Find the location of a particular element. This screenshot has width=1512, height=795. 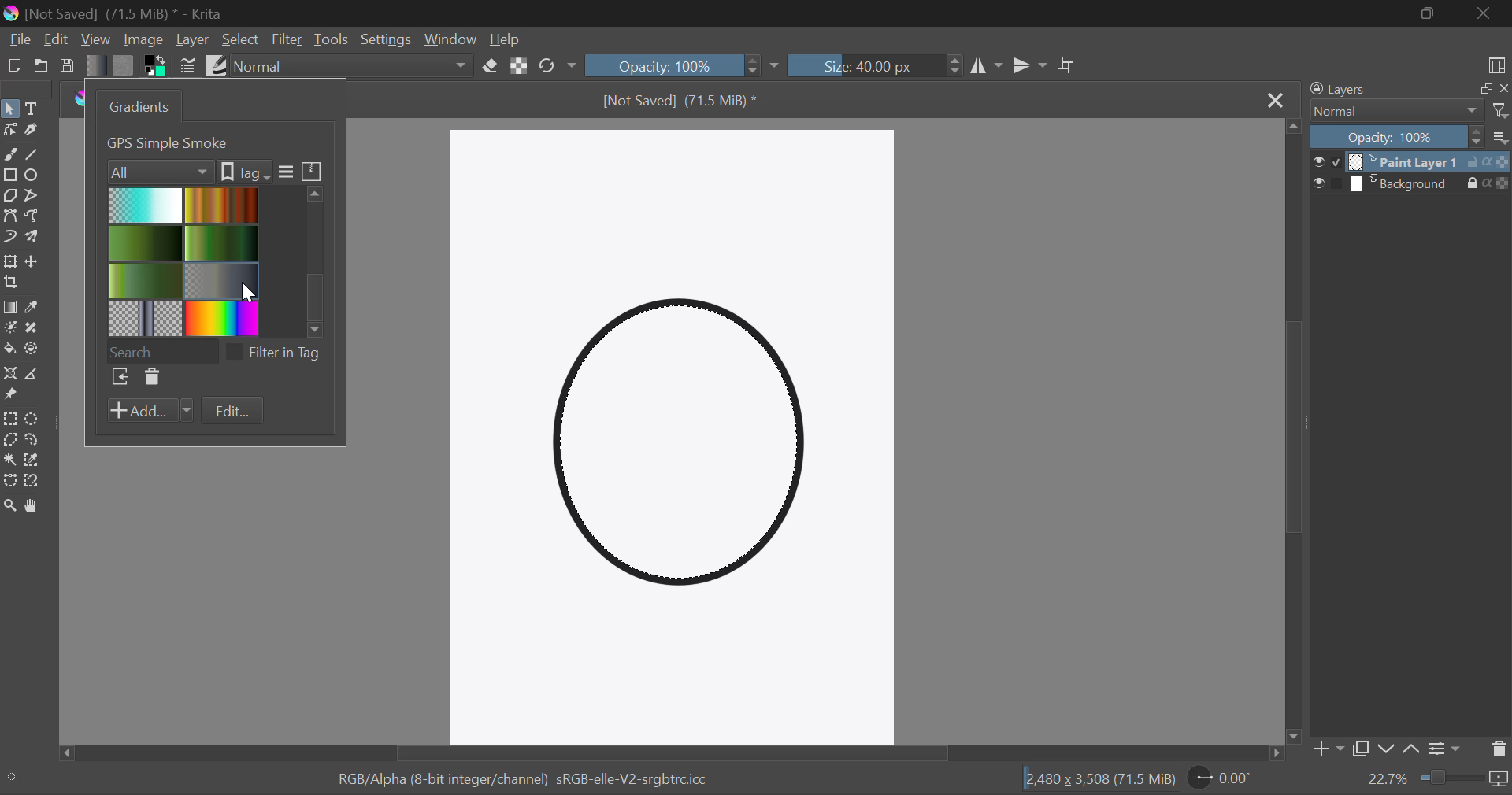

1. Foreground to Transparent is located at coordinates (202, 144).